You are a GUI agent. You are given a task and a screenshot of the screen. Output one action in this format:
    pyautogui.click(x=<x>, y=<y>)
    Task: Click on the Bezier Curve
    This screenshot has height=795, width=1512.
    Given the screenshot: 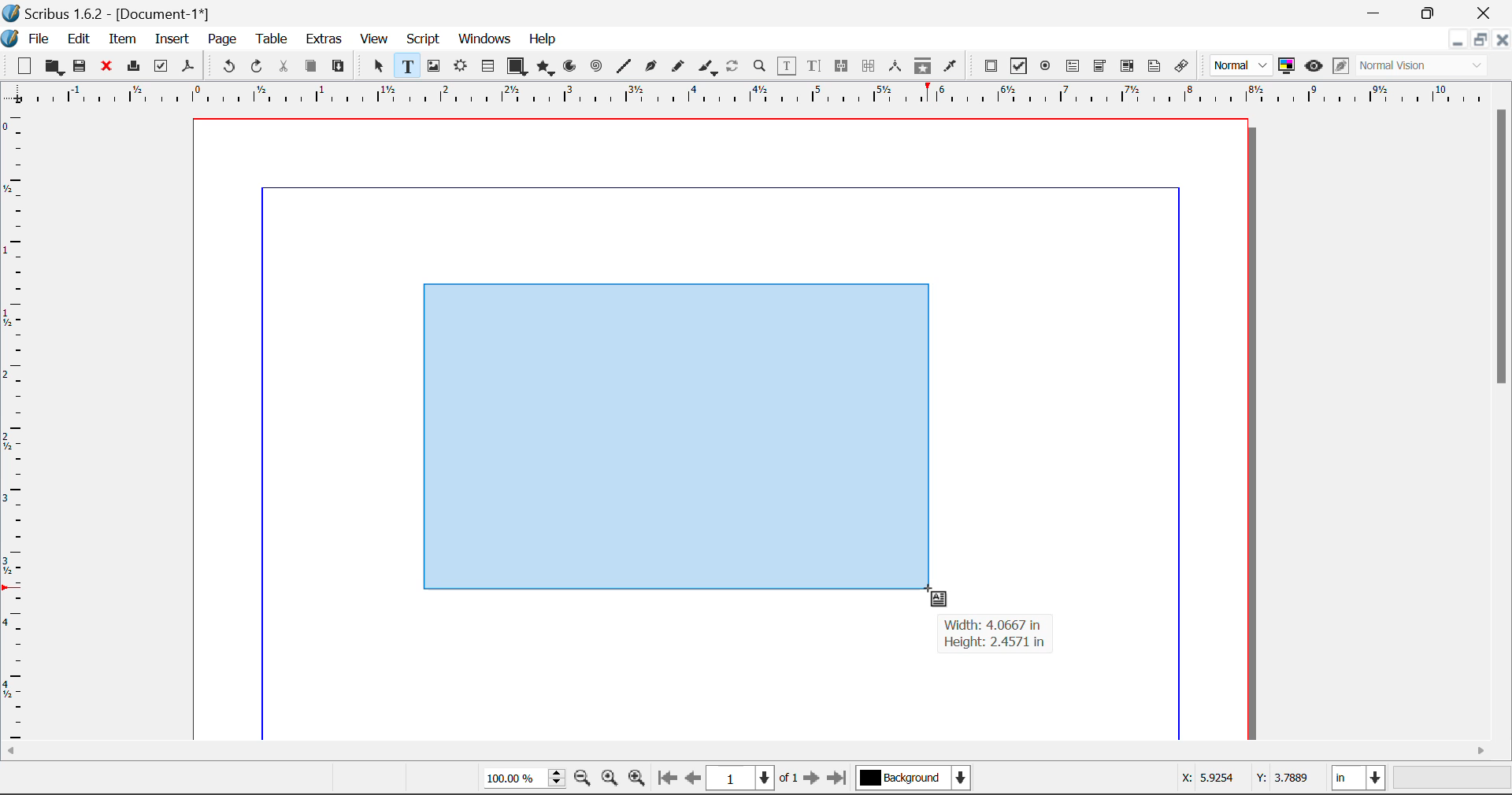 What is the action you would take?
    pyautogui.click(x=649, y=66)
    